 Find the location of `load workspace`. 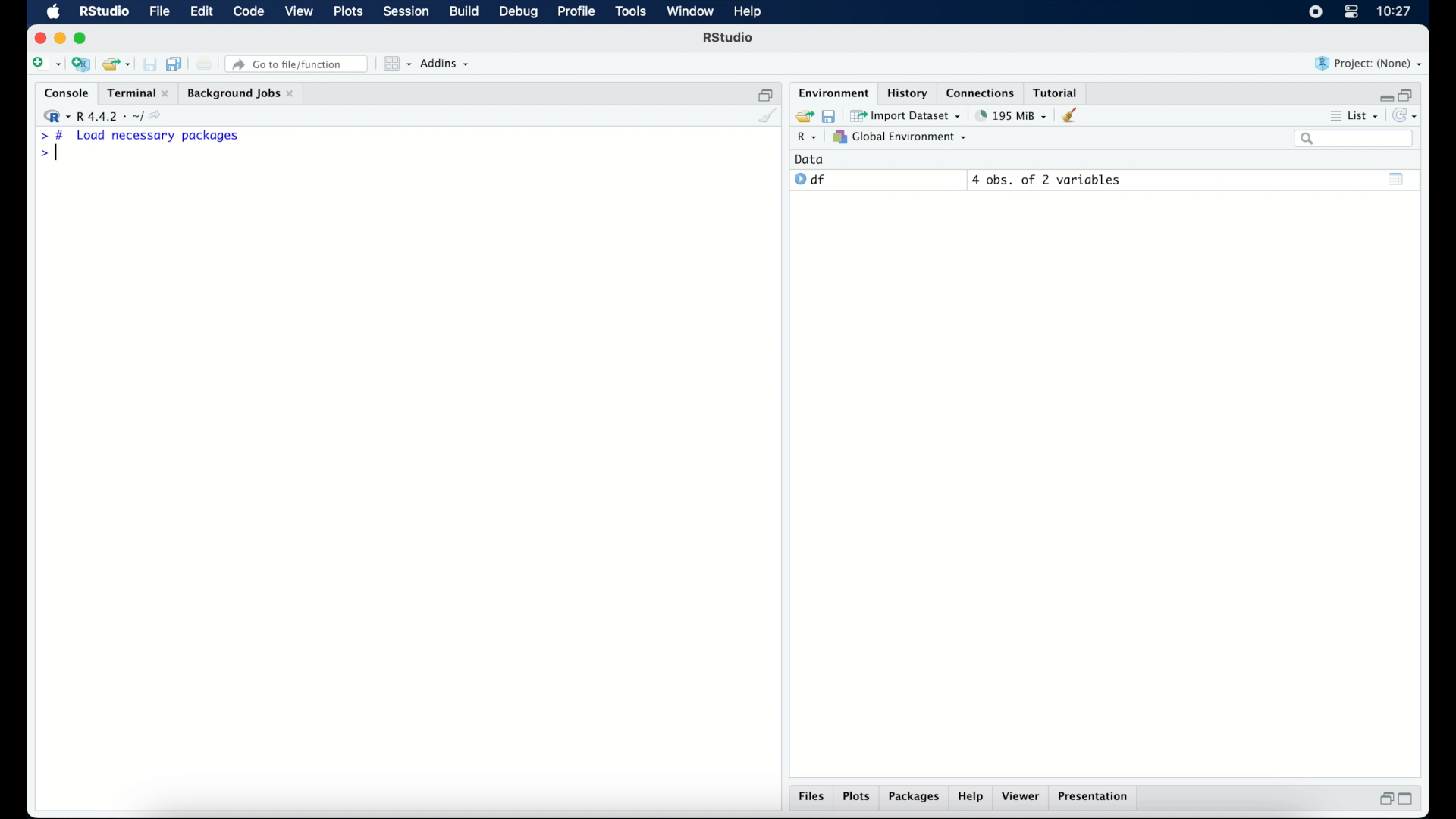

load workspace is located at coordinates (802, 115).